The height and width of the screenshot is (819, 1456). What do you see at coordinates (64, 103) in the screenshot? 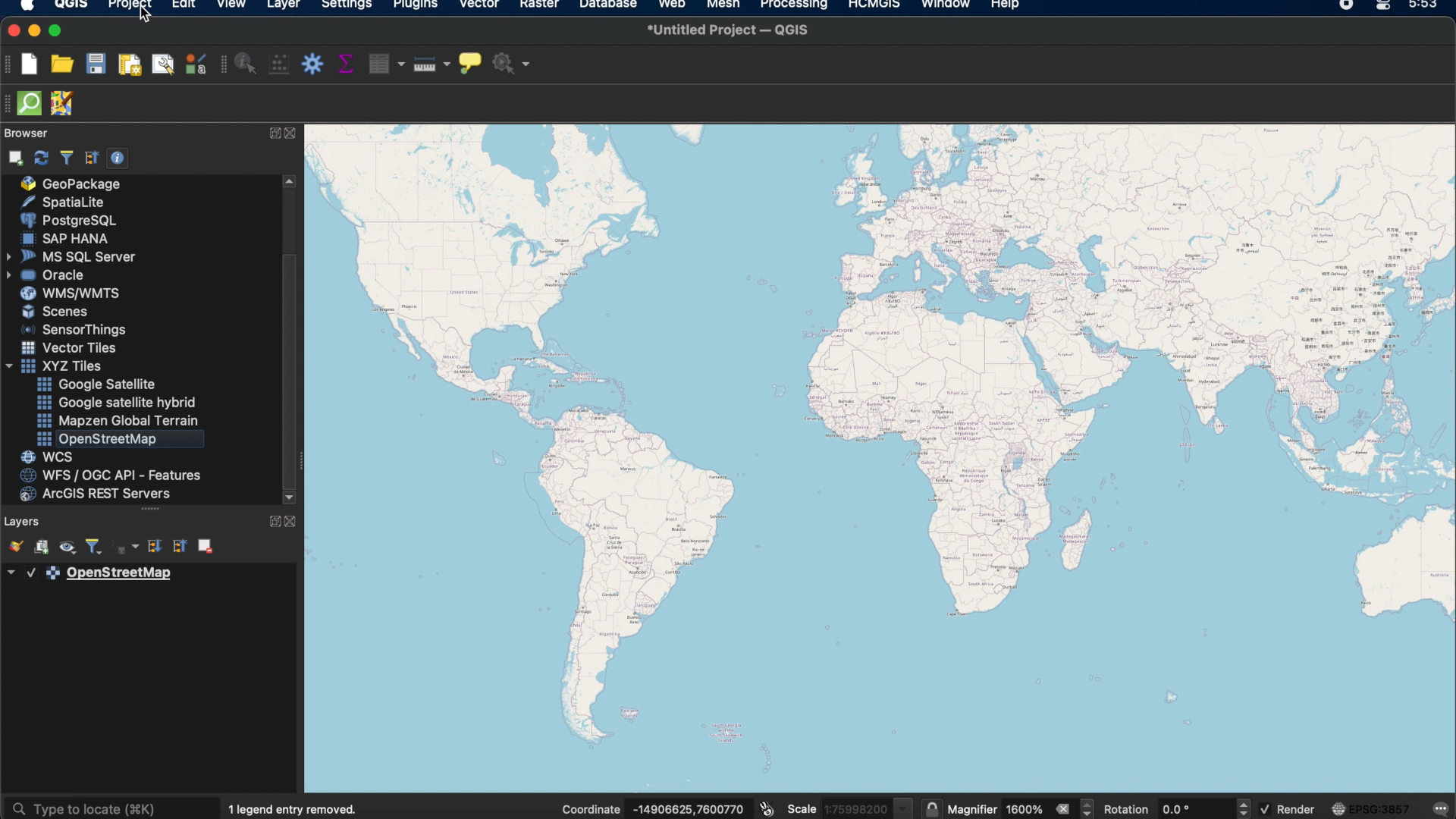
I see `JOSM remote` at bounding box center [64, 103].